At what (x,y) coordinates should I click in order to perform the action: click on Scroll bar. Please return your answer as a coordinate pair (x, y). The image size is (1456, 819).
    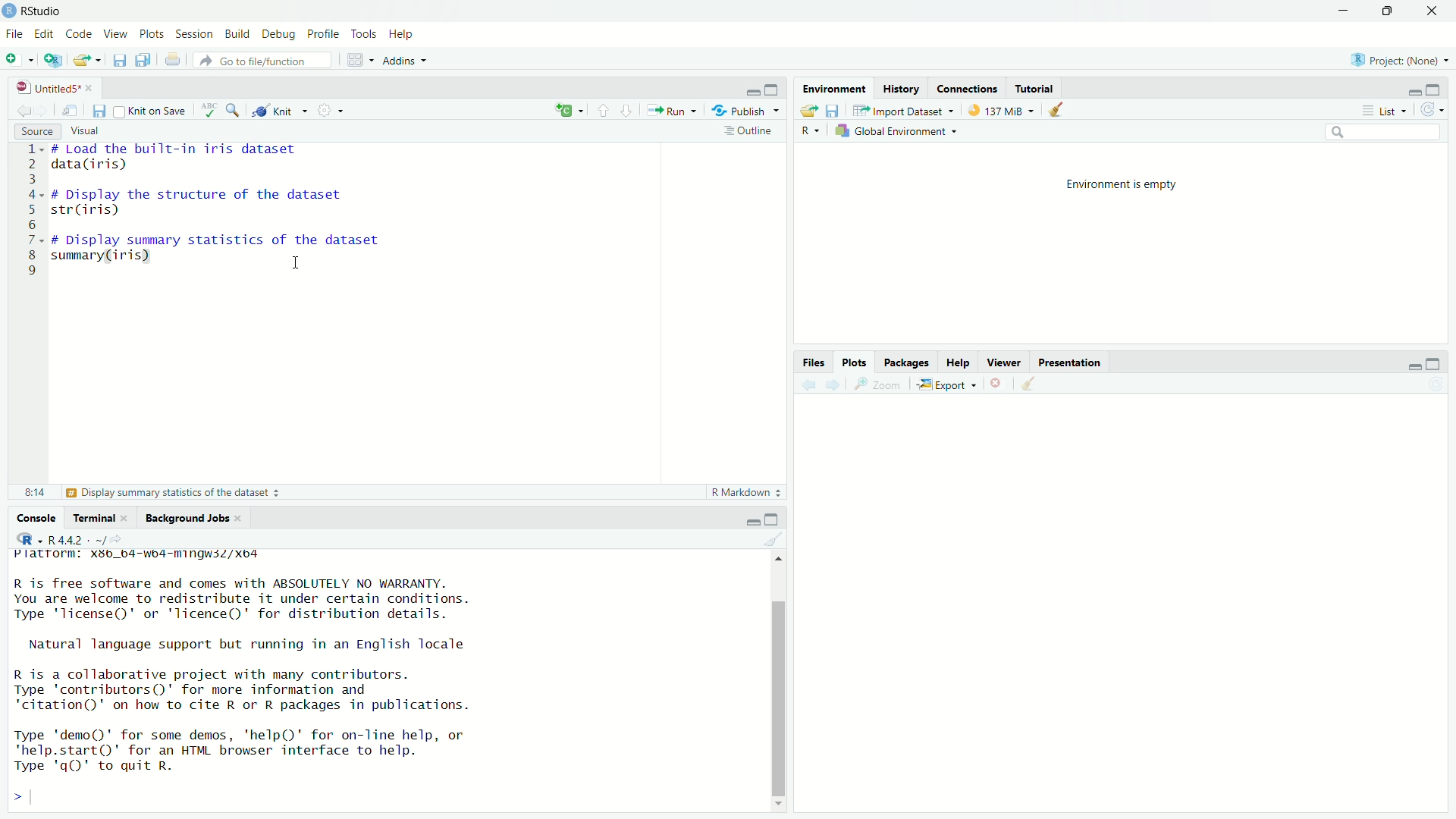
    Looking at the image, I should click on (781, 685).